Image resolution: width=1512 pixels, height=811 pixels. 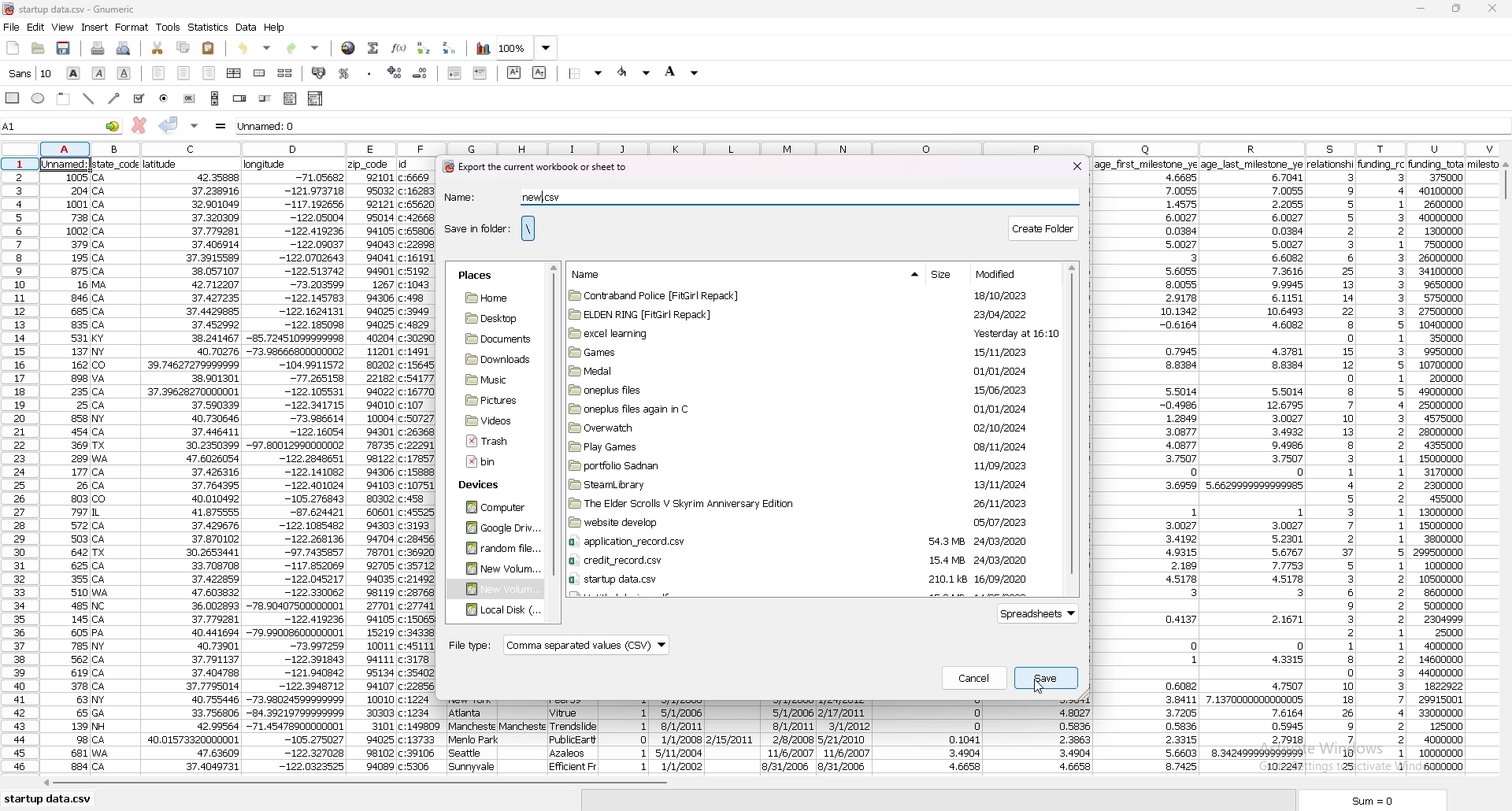 What do you see at coordinates (12, 28) in the screenshot?
I see `file` at bounding box center [12, 28].